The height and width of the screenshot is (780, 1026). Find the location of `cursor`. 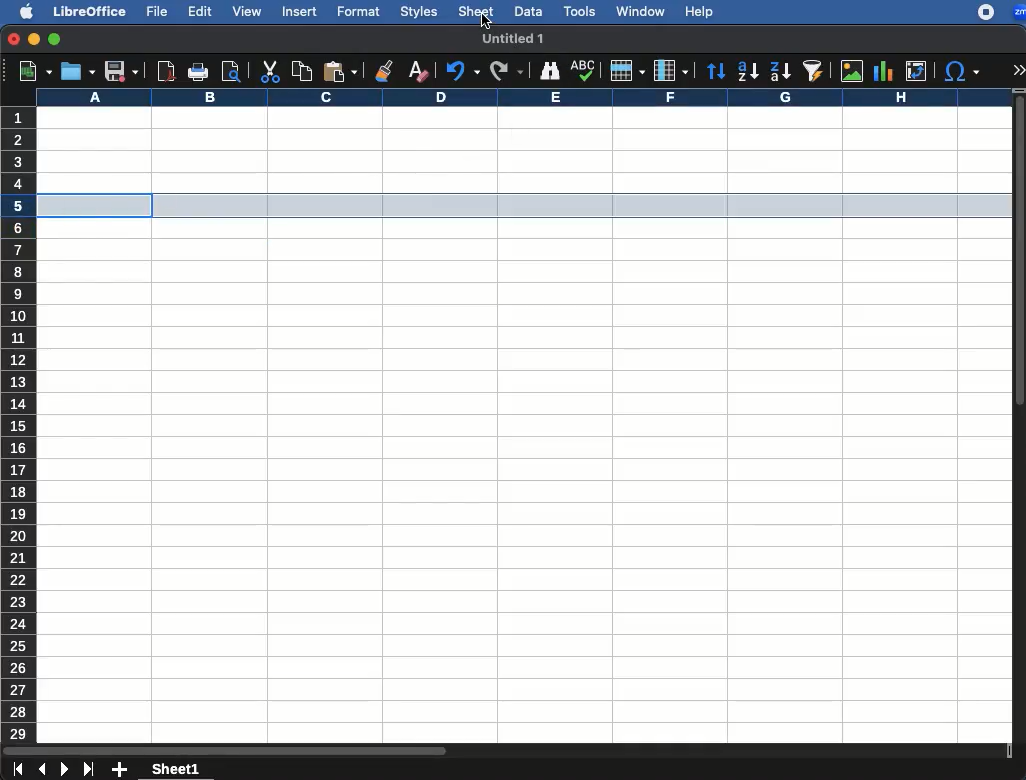

cursor is located at coordinates (488, 23).